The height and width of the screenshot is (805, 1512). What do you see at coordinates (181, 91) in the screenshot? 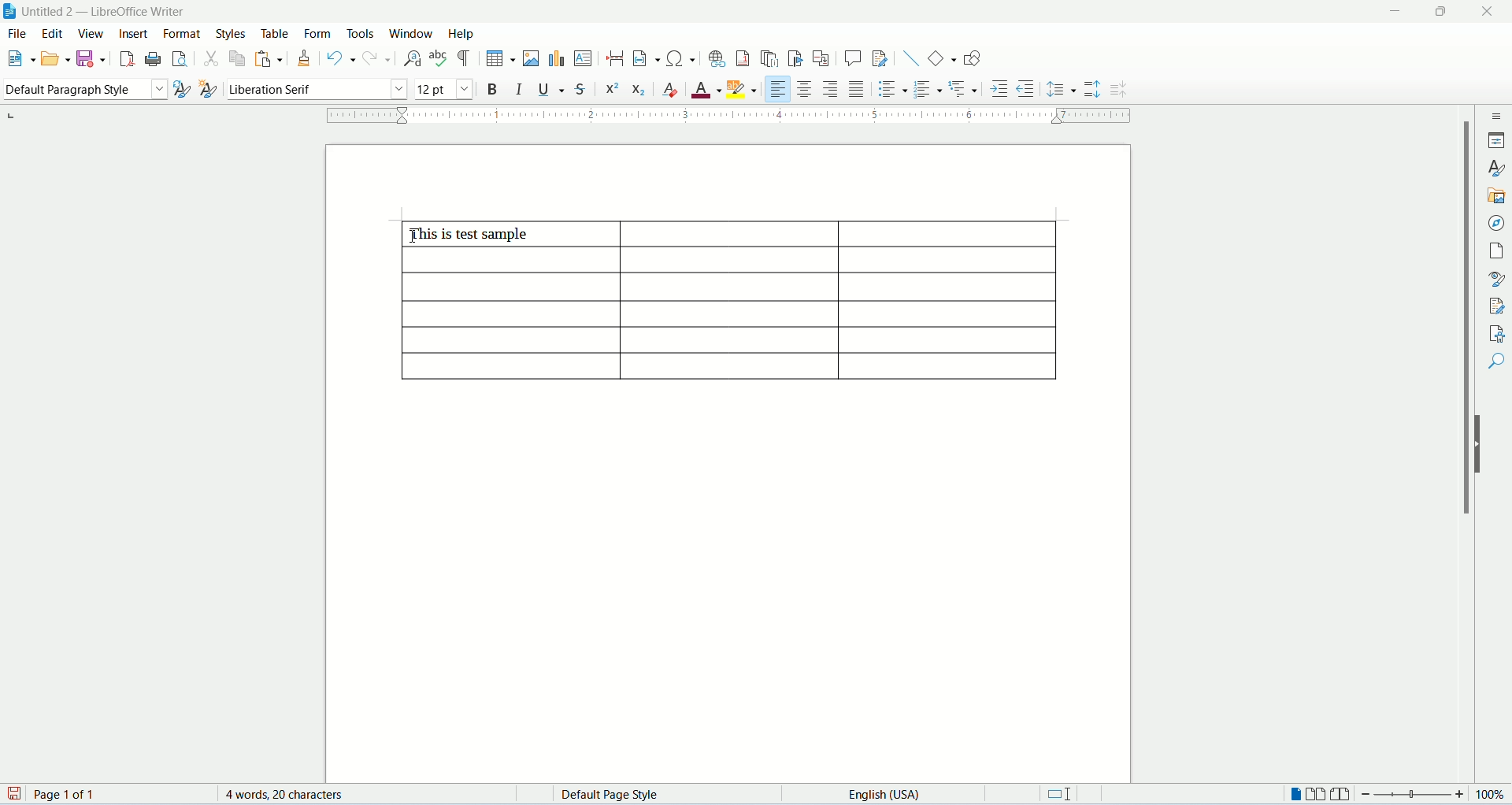
I see `update style` at bounding box center [181, 91].